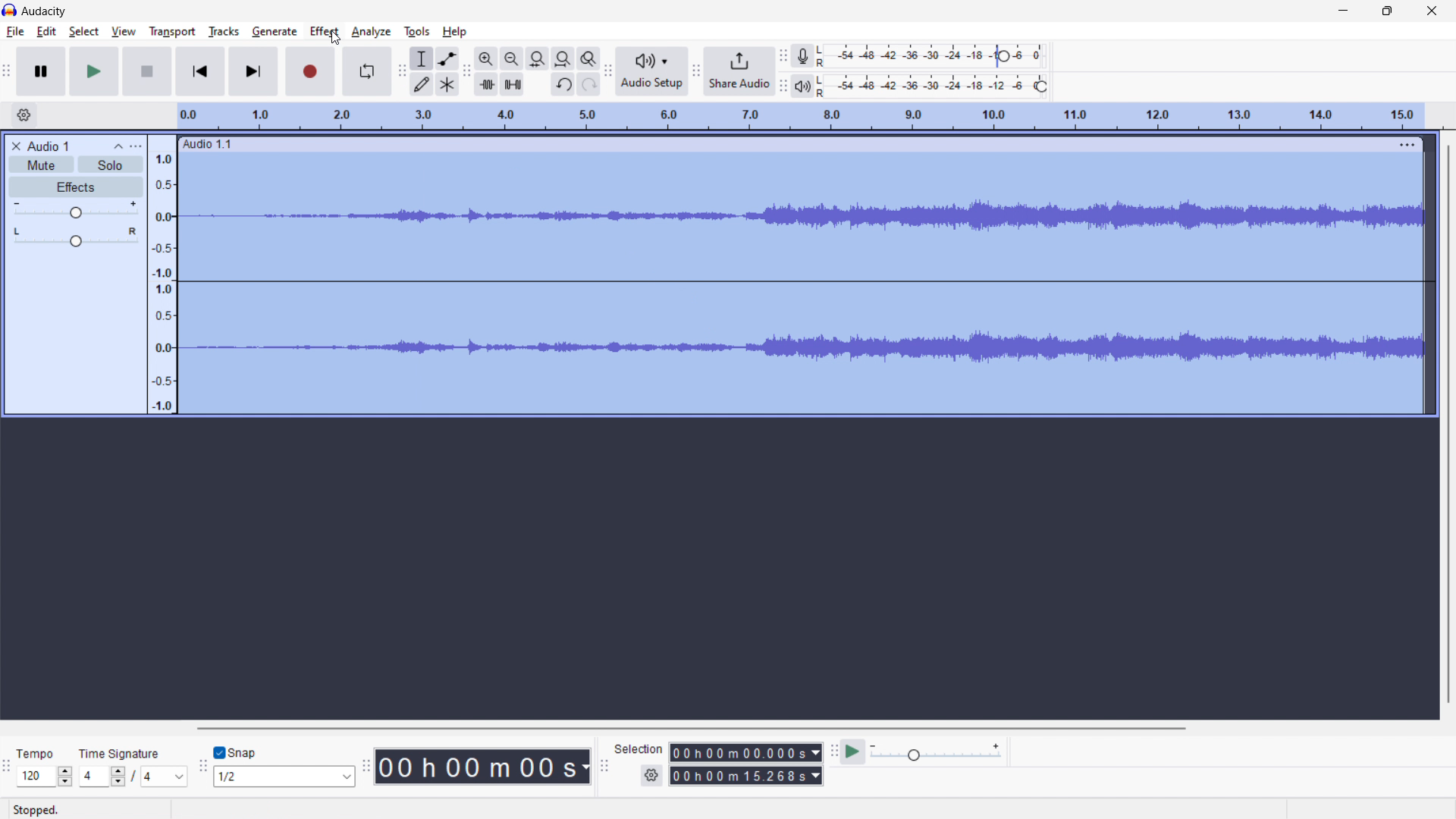 This screenshot has height=819, width=1456. What do you see at coordinates (96, 71) in the screenshot?
I see `play` at bounding box center [96, 71].